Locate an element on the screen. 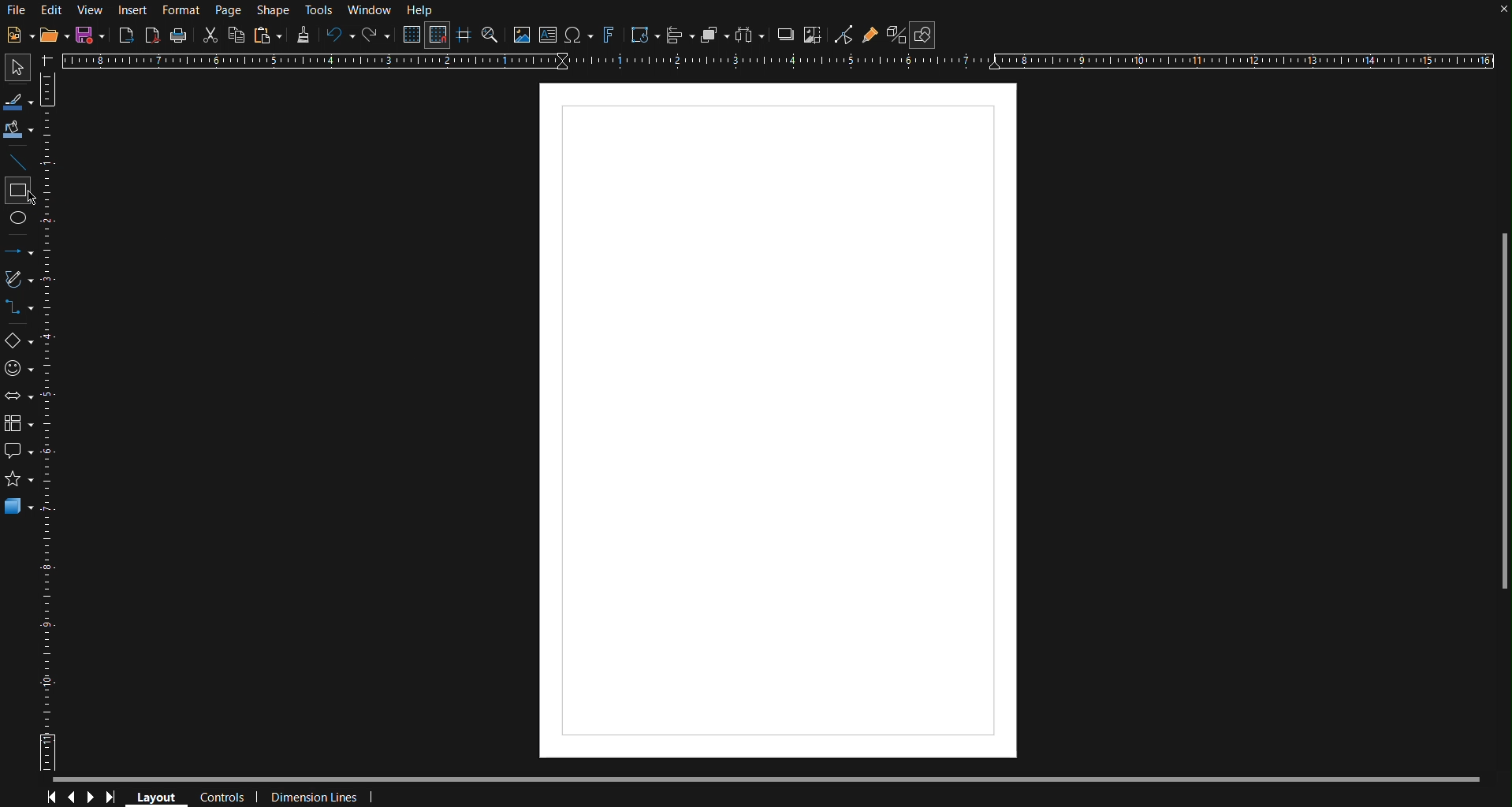  Help is located at coordinates (422, 10).